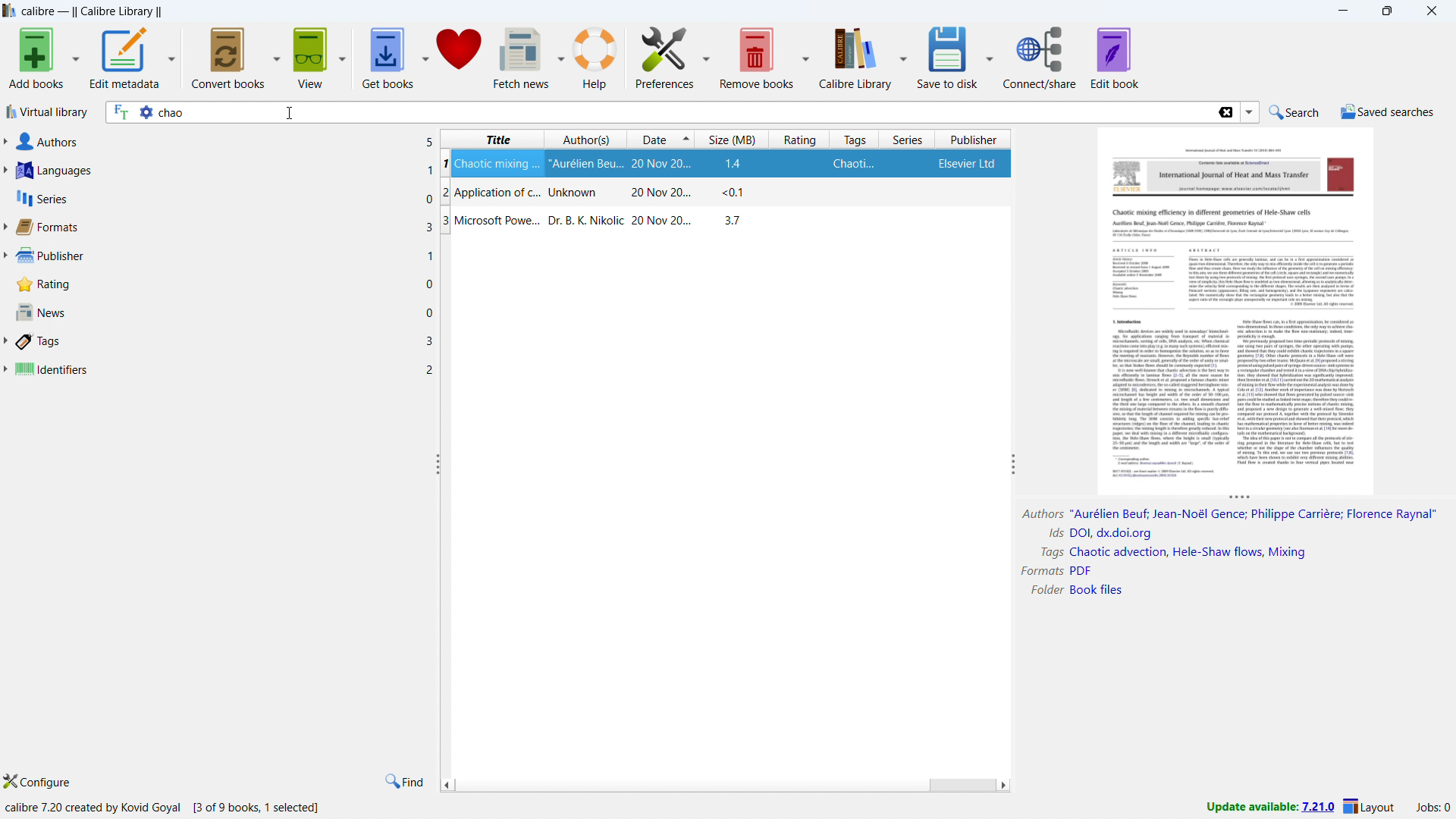 The height and width of the screenshot is (819, 1456). Describe the element at coordinates (902, 56) in the screenshot. I see `calibre library options` at that location.